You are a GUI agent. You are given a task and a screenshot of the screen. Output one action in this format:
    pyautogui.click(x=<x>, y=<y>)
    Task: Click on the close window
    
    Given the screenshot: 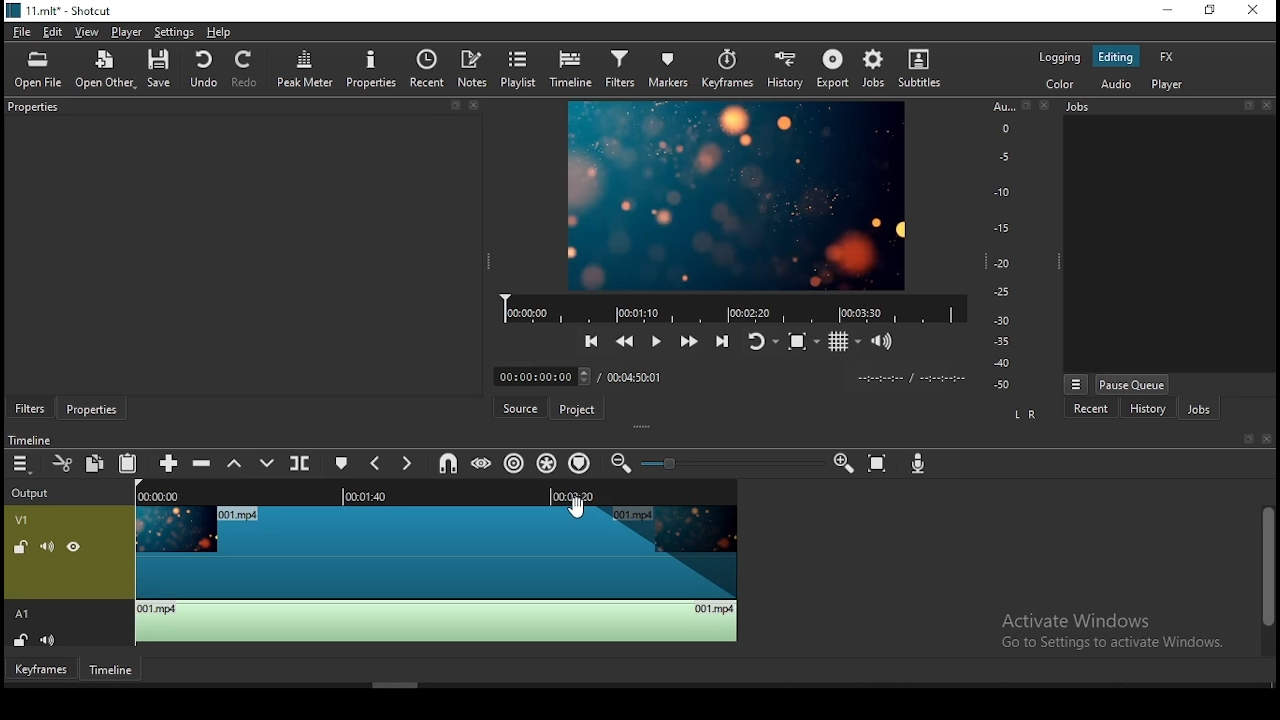 What is the action you would take?
    pyautogui.click(x=1251, y=11)
    